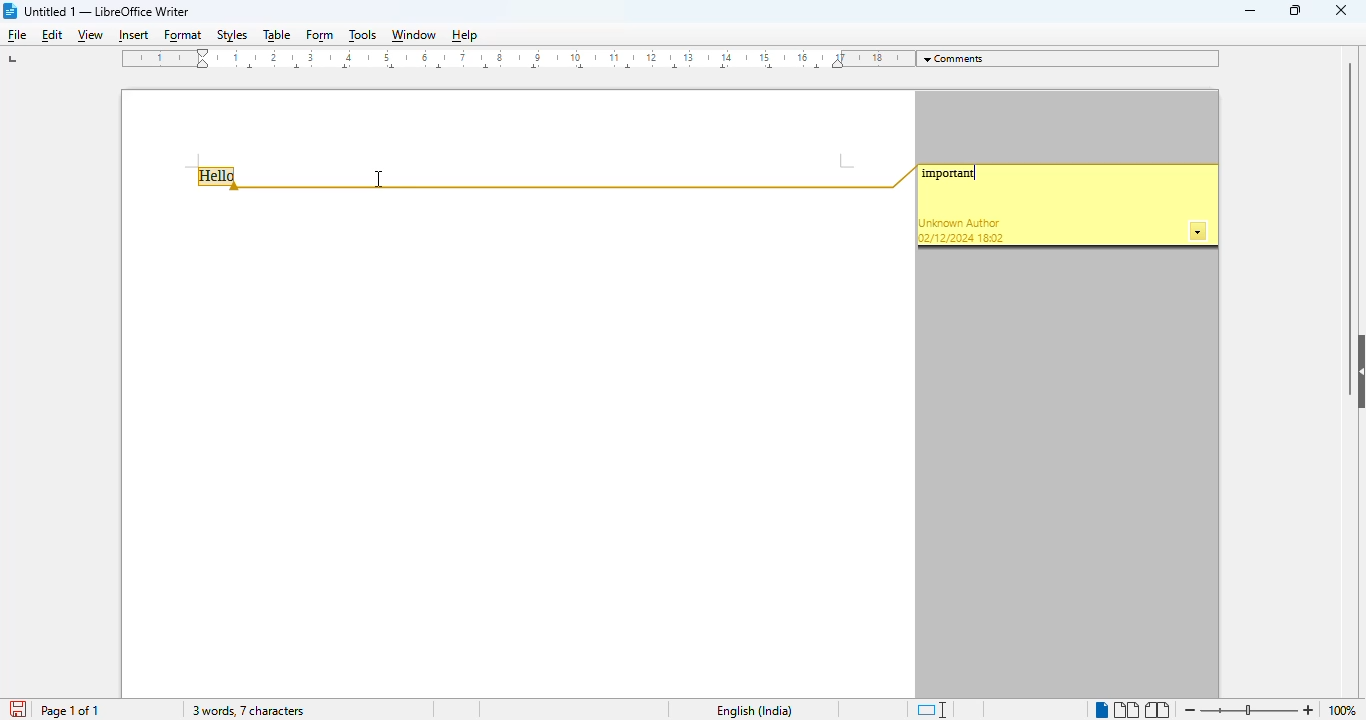 The width and height of the screenshot is (1366, 720). Describe the element at coordinates (960, 223) in the screenshot. I see `unknown anchor` at that location.